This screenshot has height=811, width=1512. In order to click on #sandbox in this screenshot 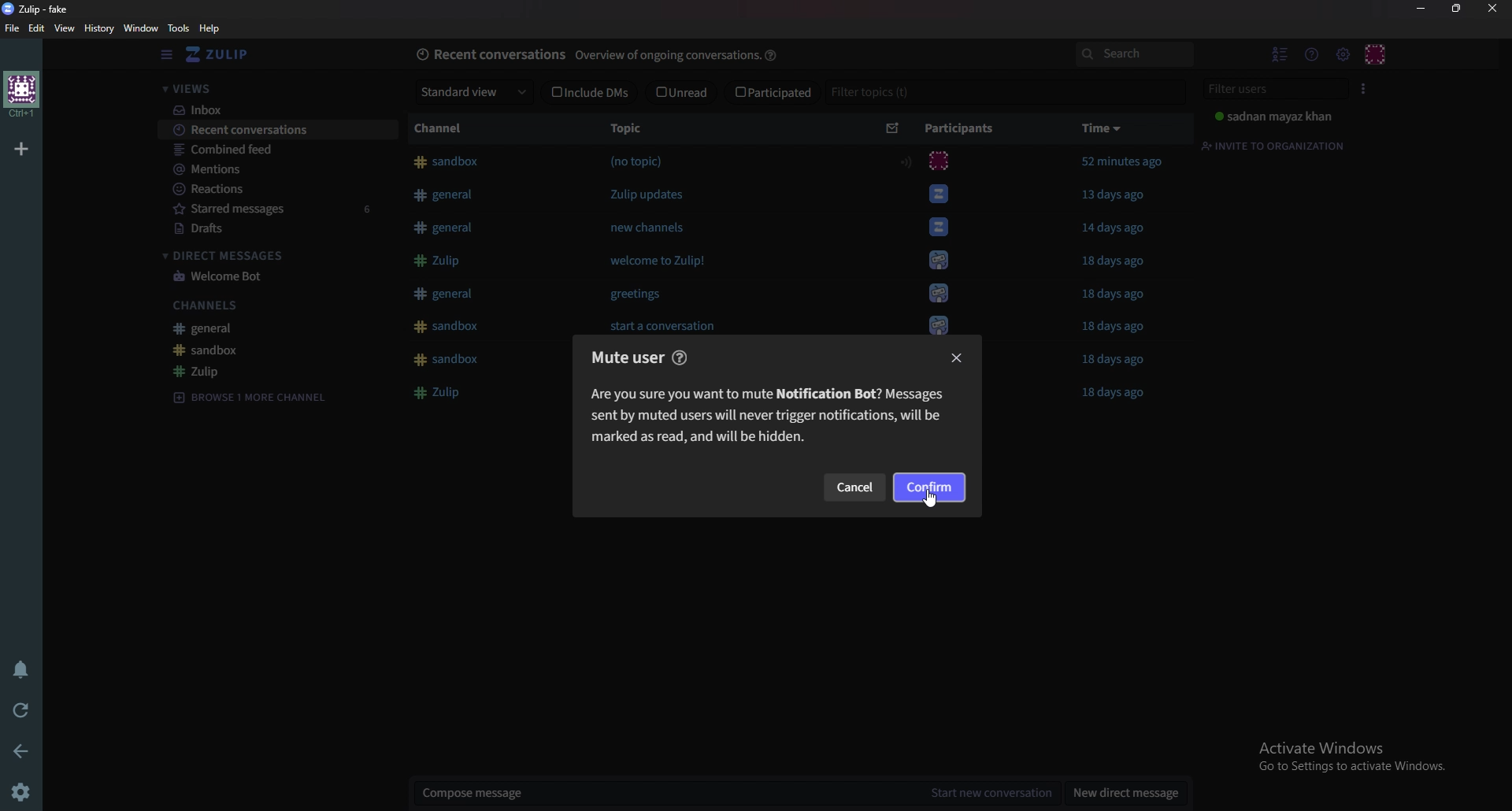, I will do `click(446, 327)`.